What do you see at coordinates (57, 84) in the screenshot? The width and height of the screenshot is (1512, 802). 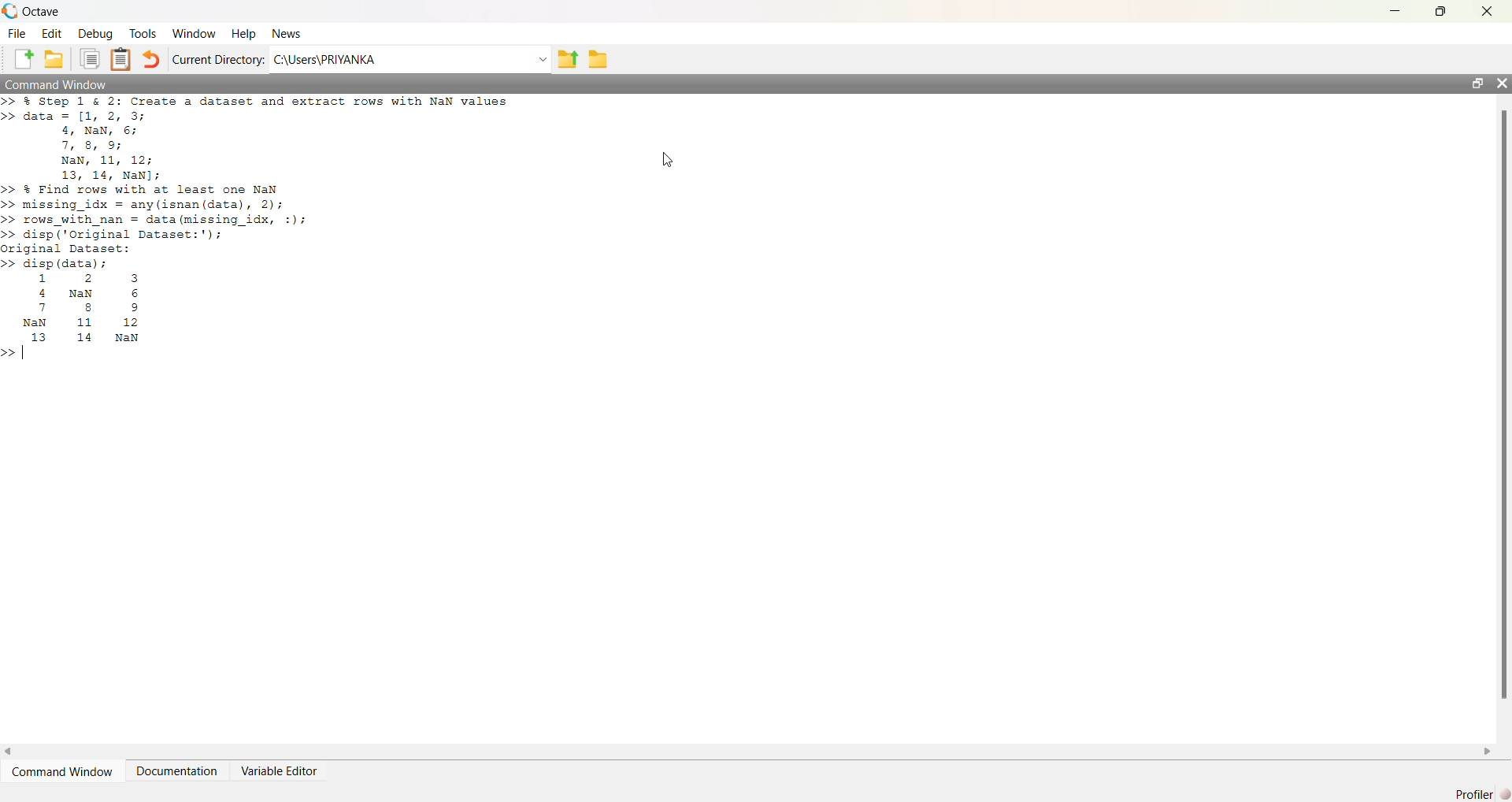 I see `Command Window` at bounding box center [57, 84].